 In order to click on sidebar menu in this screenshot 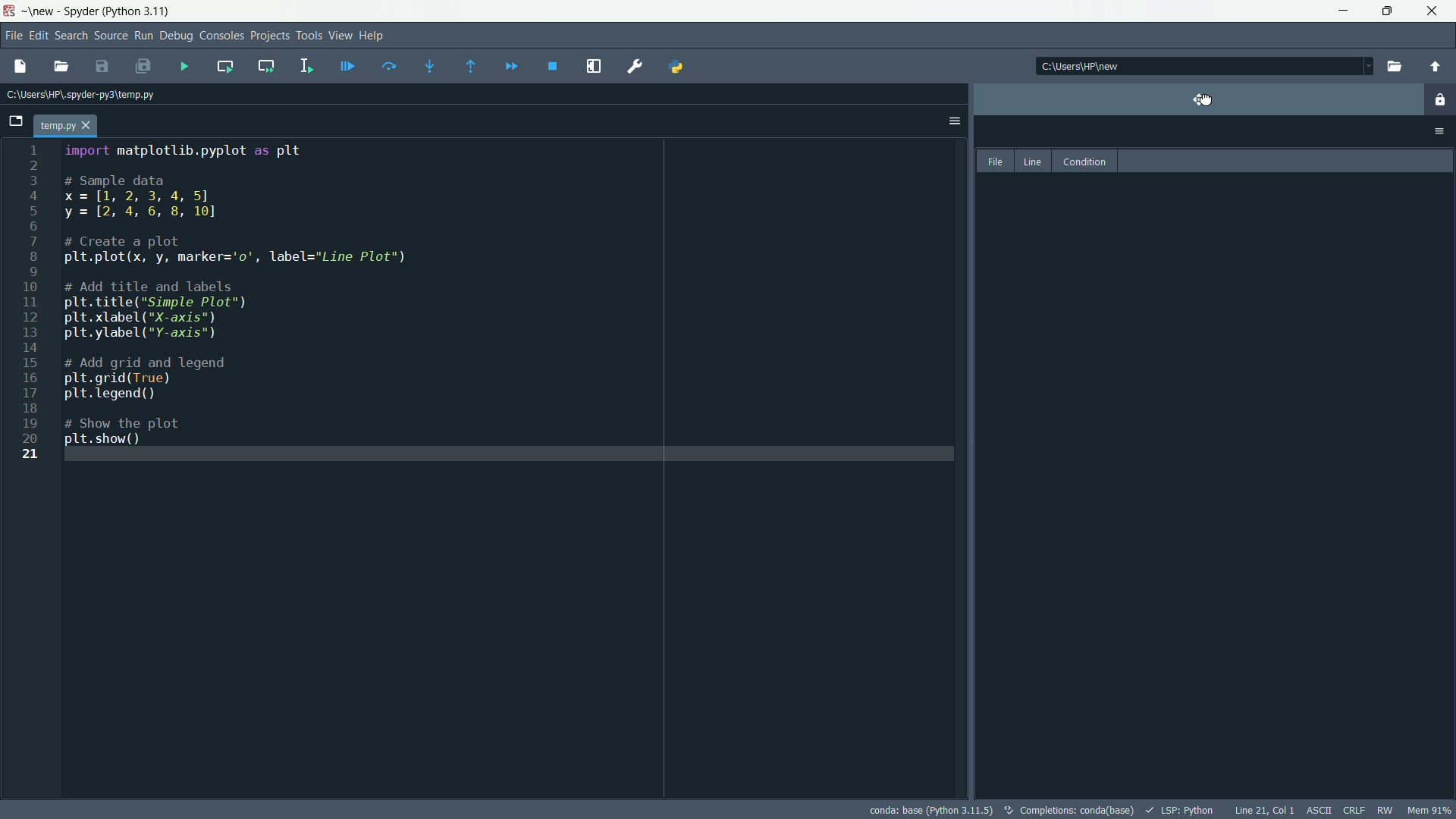, I will do `click(1441, 130)`.